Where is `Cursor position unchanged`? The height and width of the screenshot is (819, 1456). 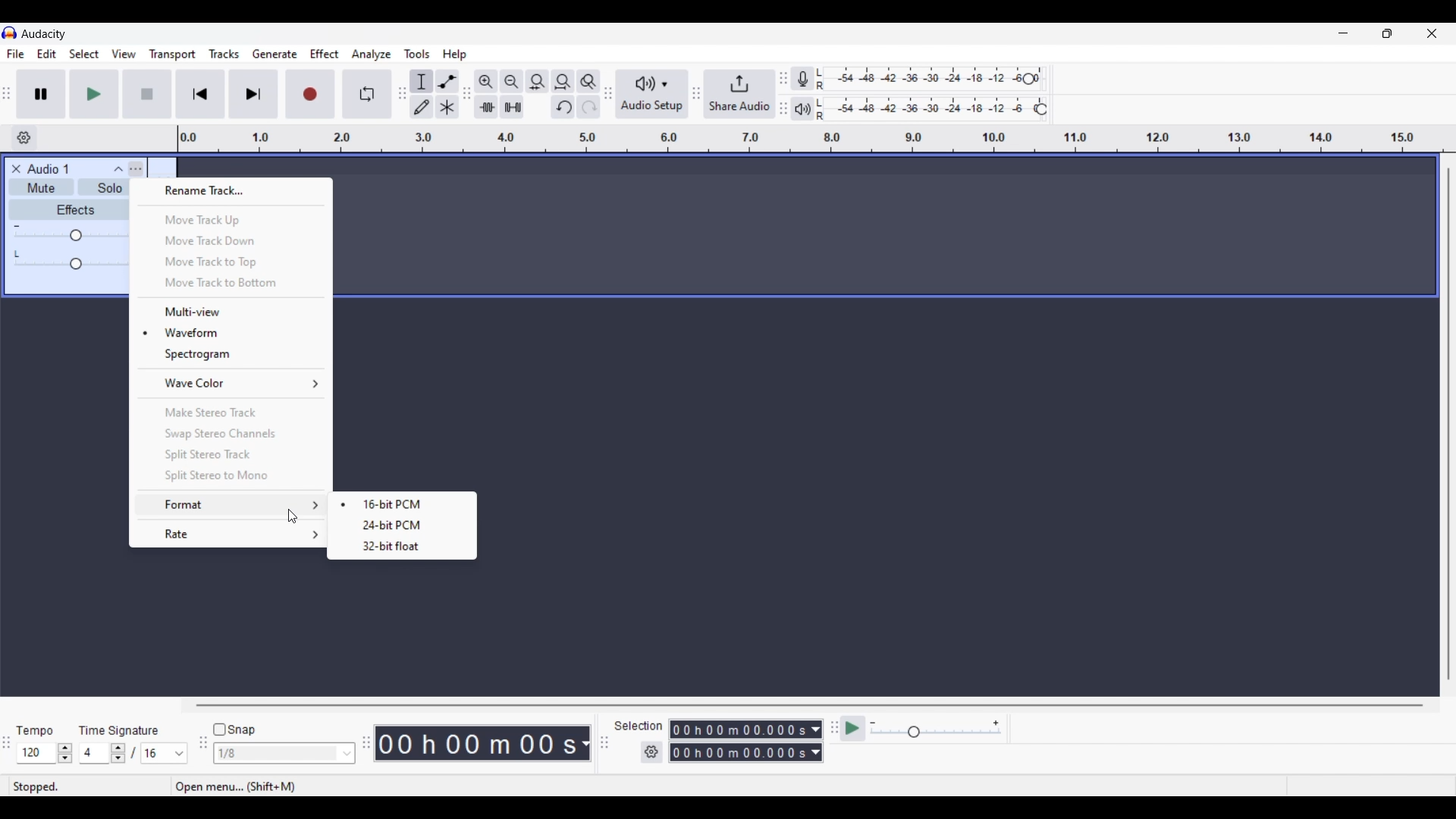
Cursor position unchanged is located at coordinates (293, 516).